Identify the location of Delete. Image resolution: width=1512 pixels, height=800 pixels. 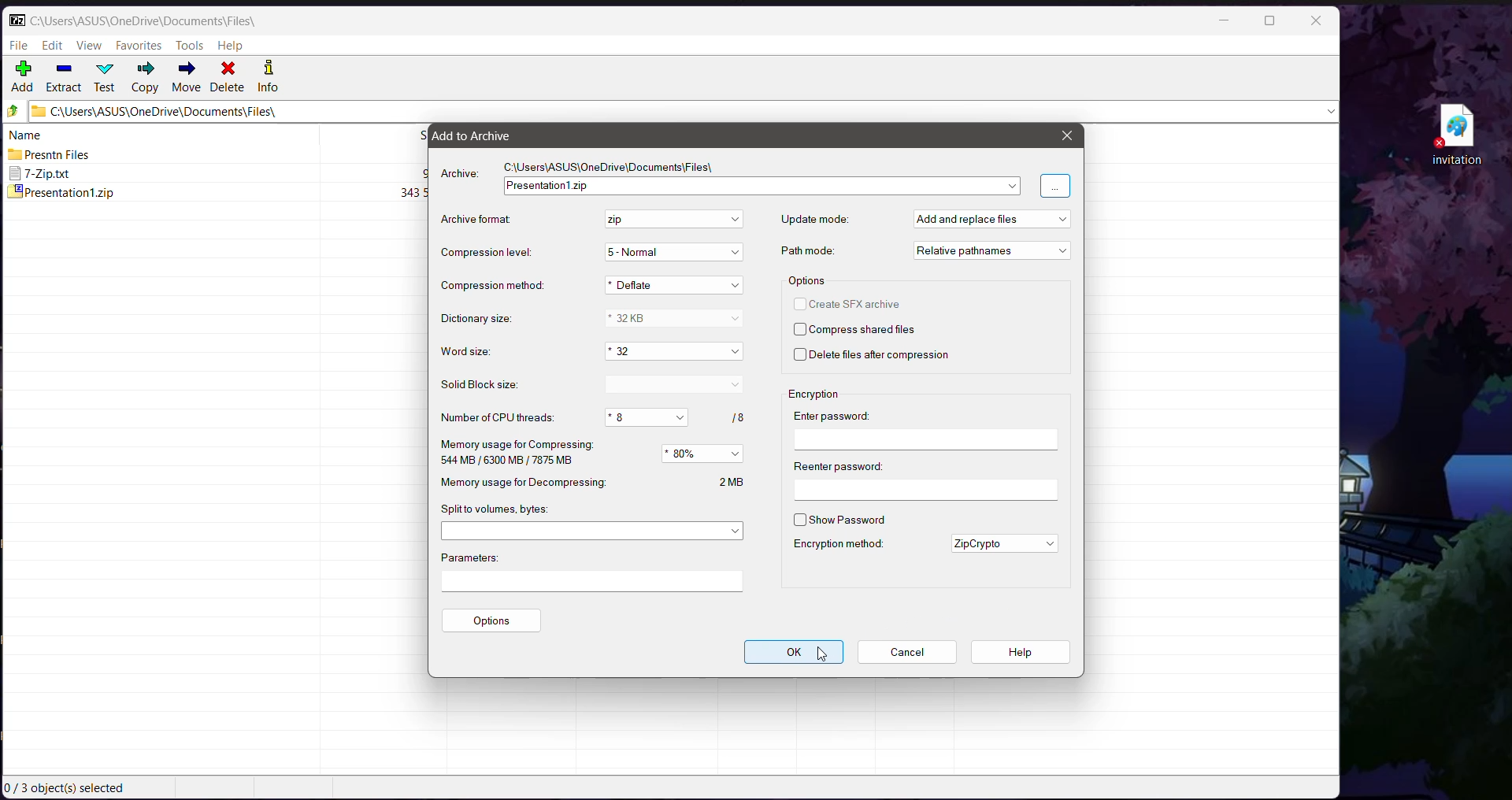
(229, 78).